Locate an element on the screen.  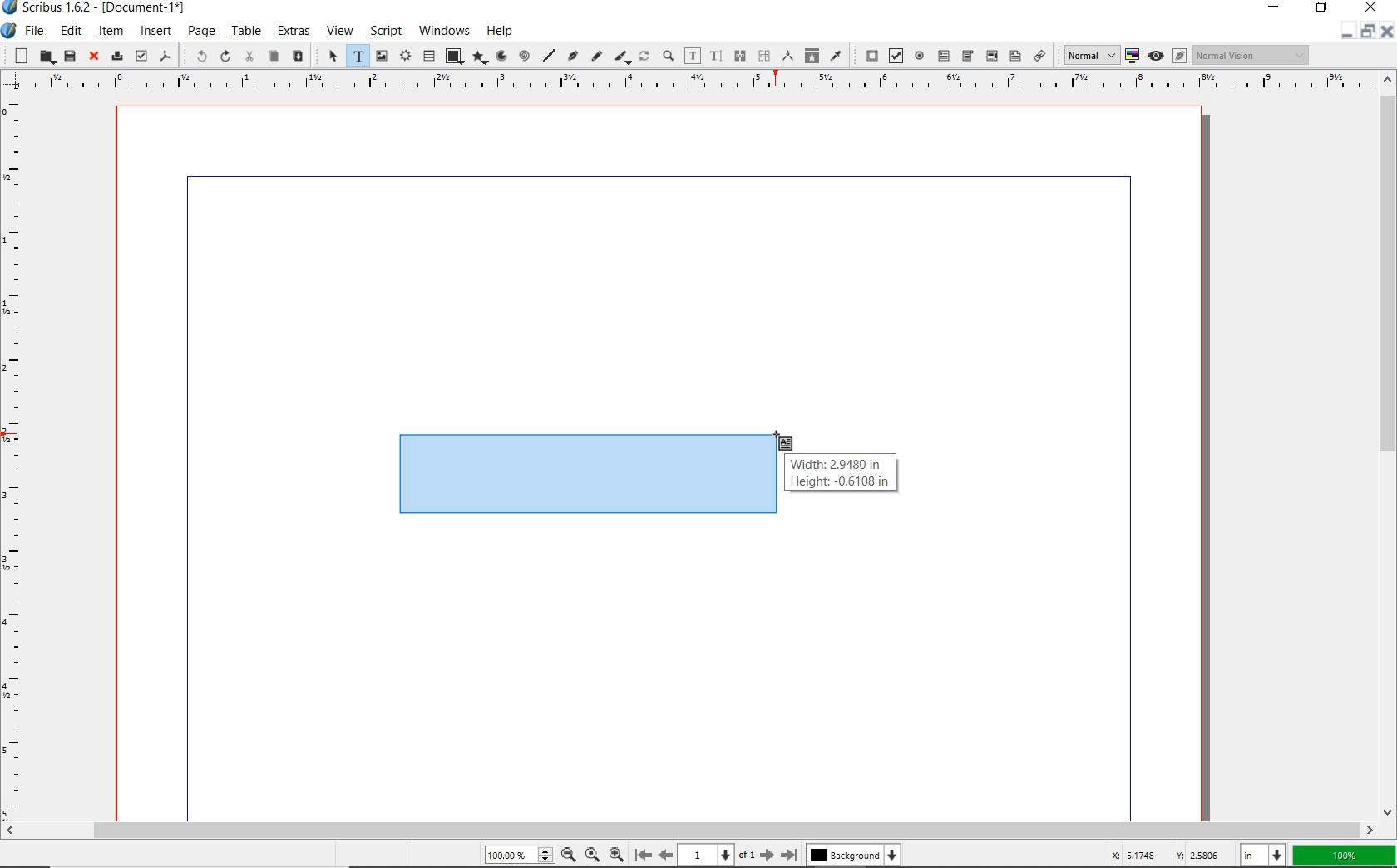
Bezier curve is located at coordinates (572, 57).